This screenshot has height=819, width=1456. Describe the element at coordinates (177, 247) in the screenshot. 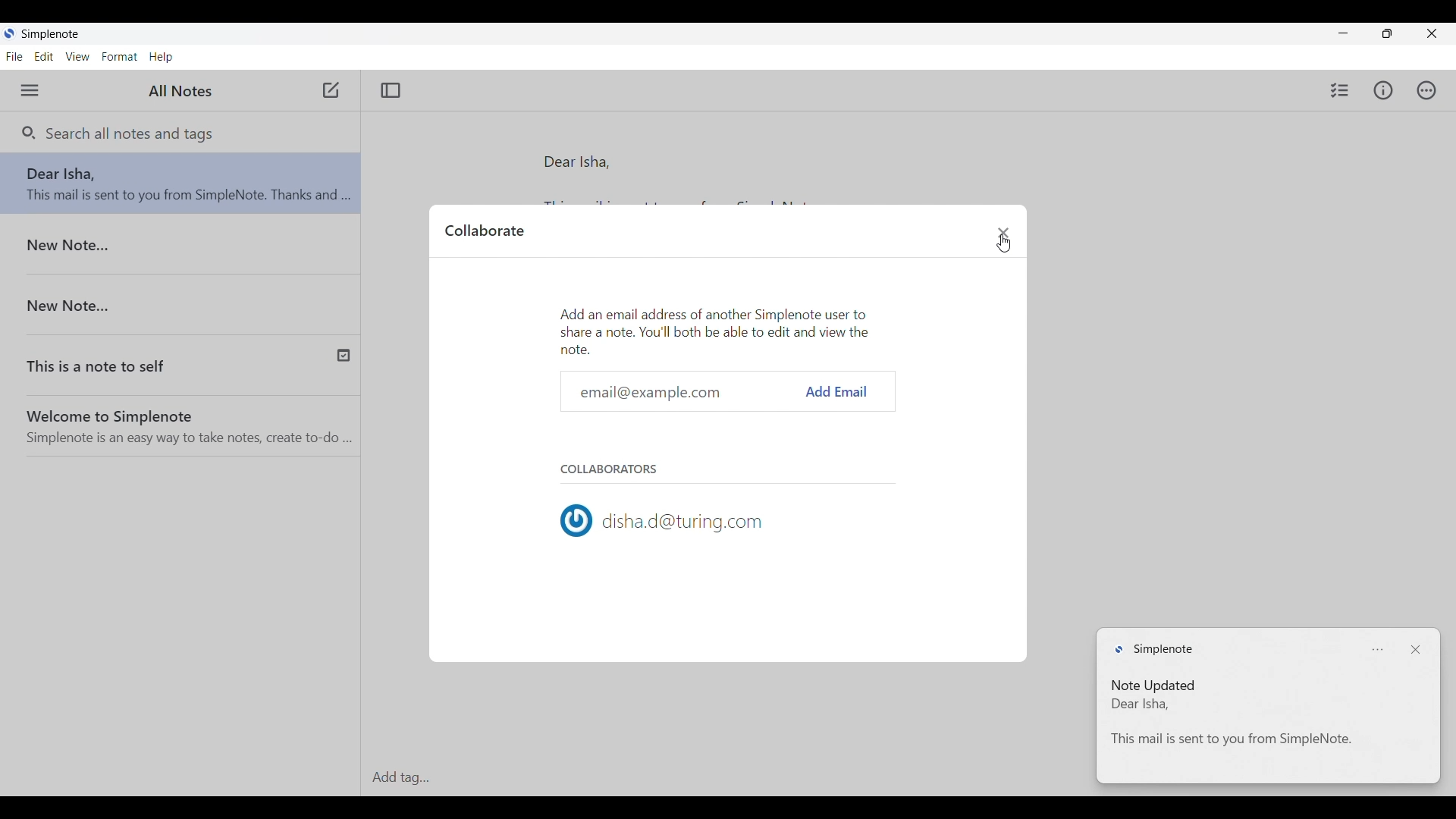

I see `New Note...` at that location.